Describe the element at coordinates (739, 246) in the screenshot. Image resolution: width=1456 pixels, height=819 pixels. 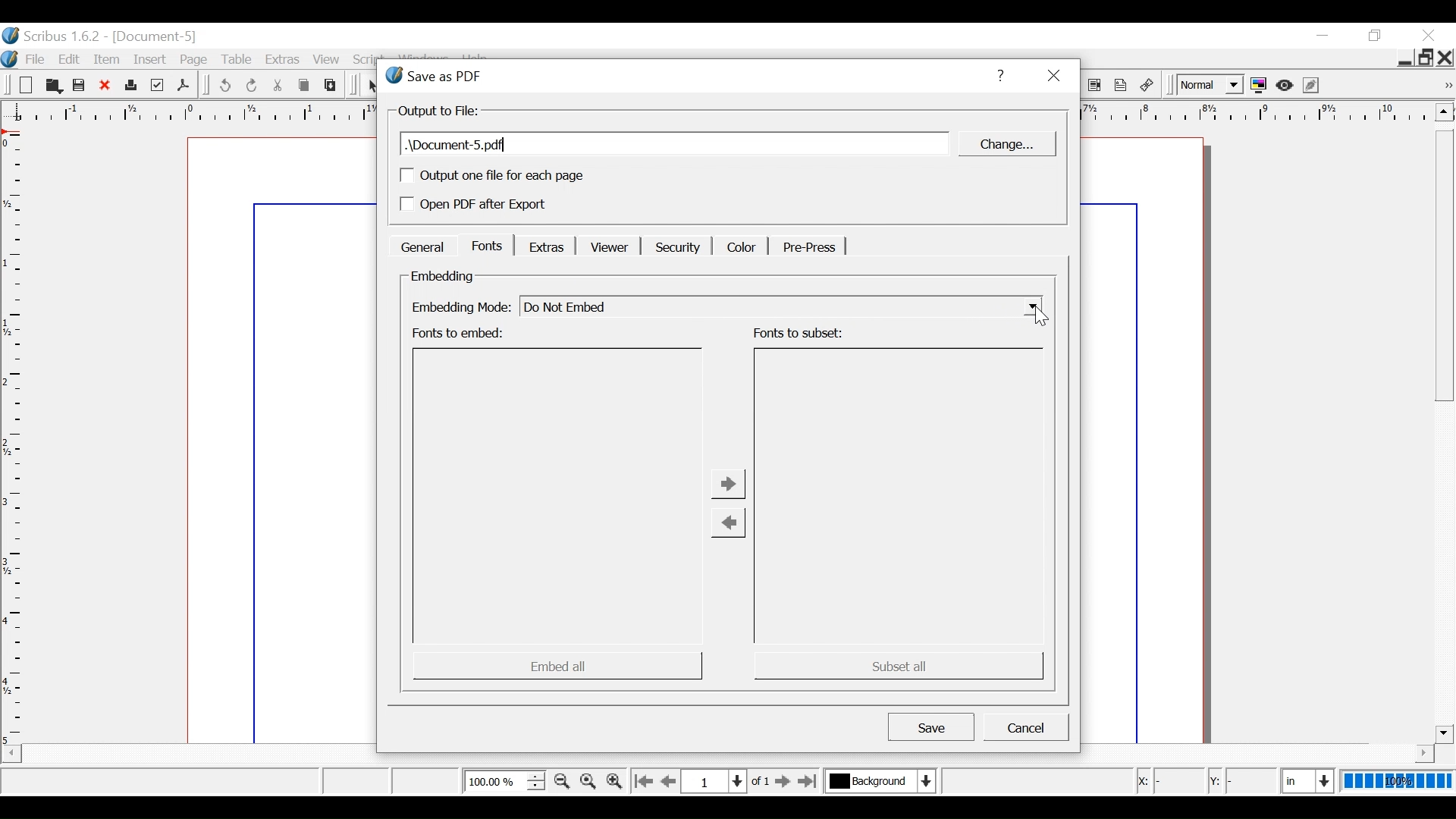
I see `Color` at that location.